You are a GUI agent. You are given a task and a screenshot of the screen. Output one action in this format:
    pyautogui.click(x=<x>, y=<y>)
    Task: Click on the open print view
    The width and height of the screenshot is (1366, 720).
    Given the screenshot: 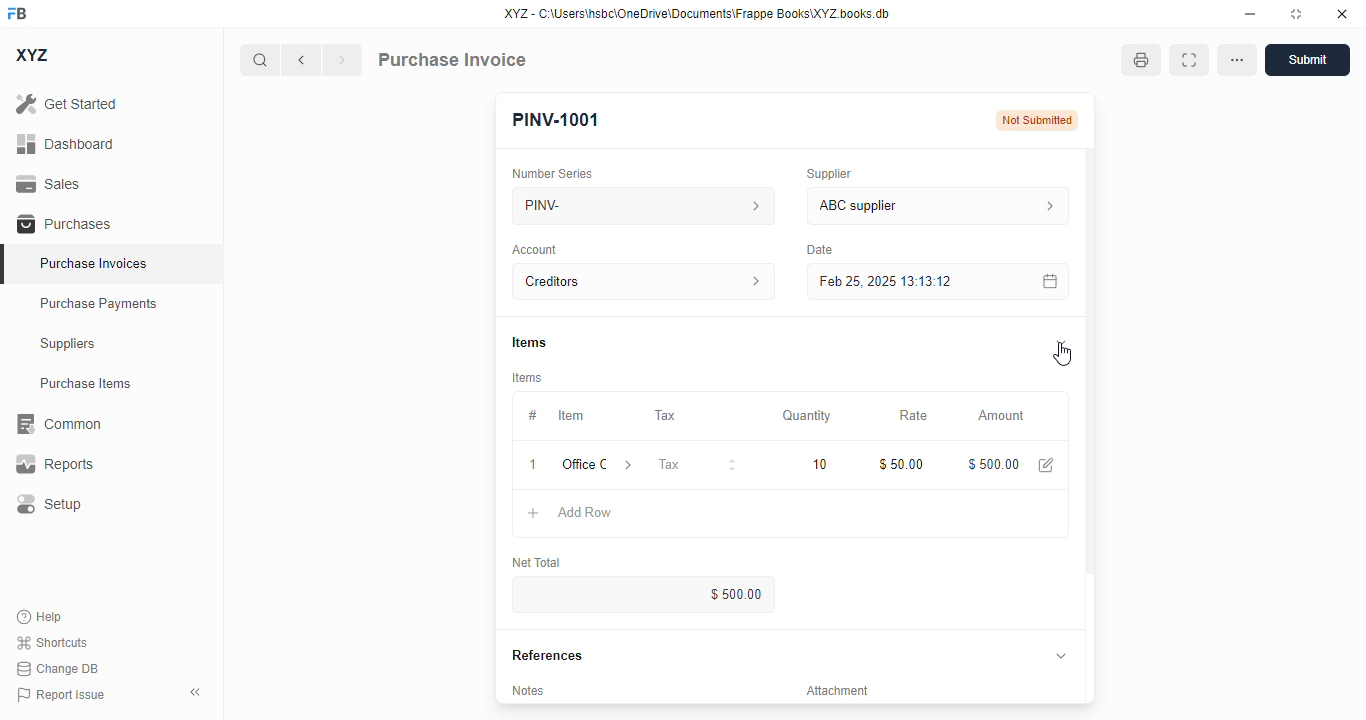 What is the action you would take?
    pyautogui.click(x=1141, y=60)
    